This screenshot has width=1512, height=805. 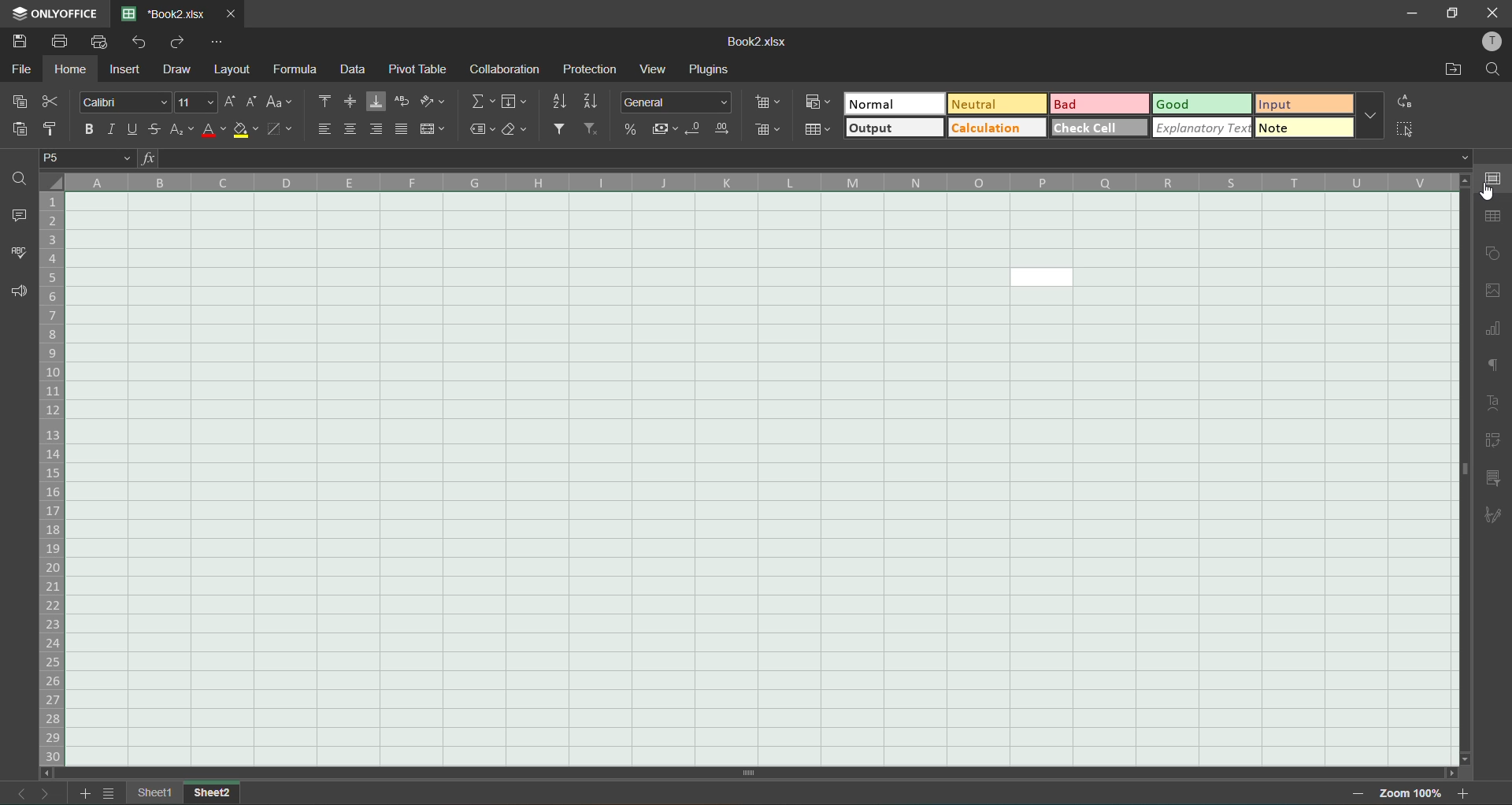 I want to click on underline, so click(x=132, y=128).